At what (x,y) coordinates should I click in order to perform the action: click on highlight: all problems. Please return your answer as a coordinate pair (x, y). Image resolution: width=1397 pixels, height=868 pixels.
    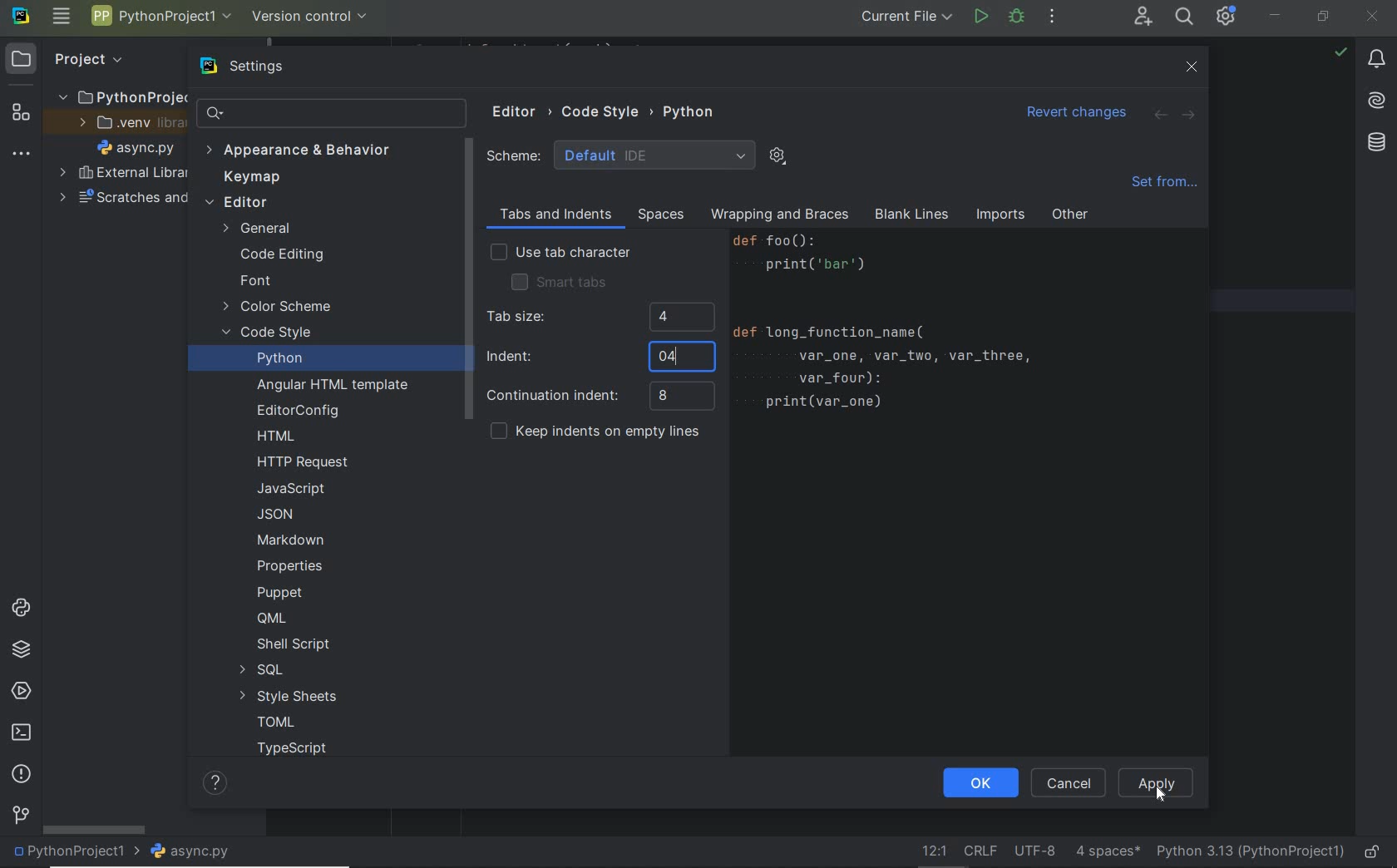
    Looking at the image, I should click on (1339, 53).